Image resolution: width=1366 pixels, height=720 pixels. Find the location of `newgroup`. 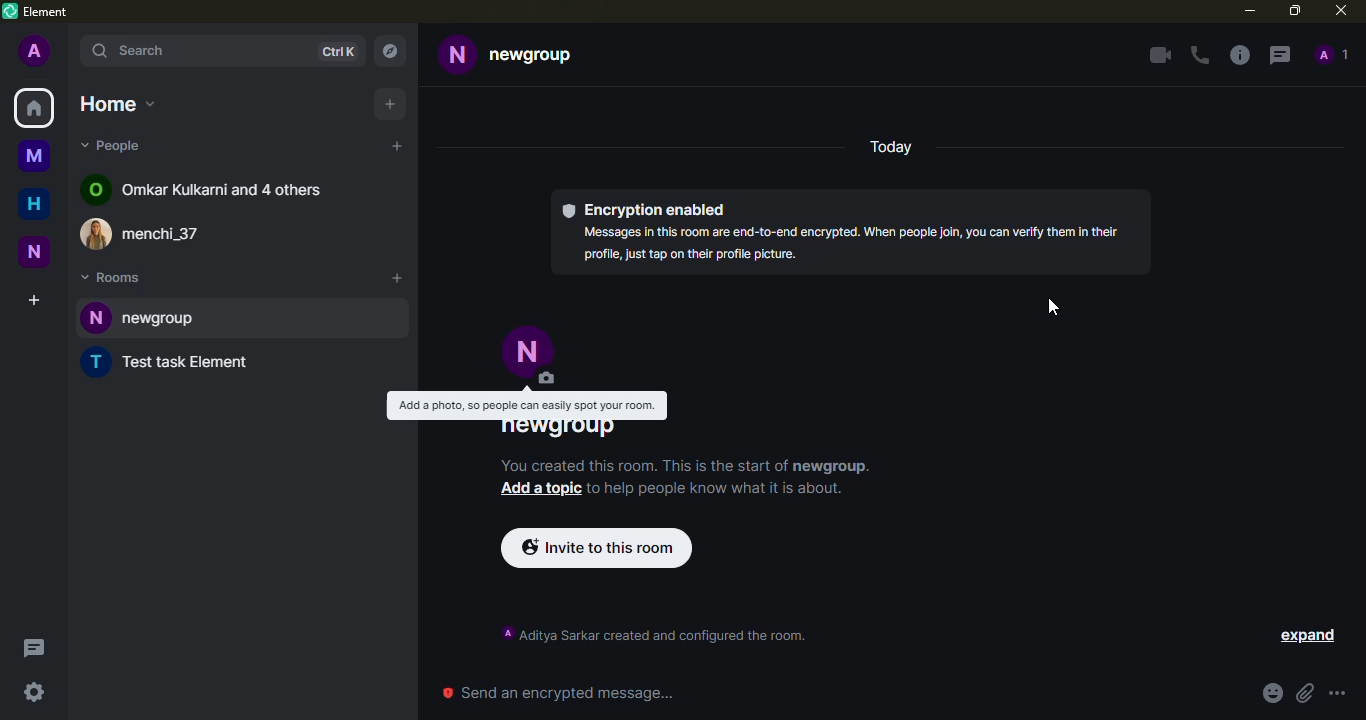

newgroup is located at coordinates (263, 318).